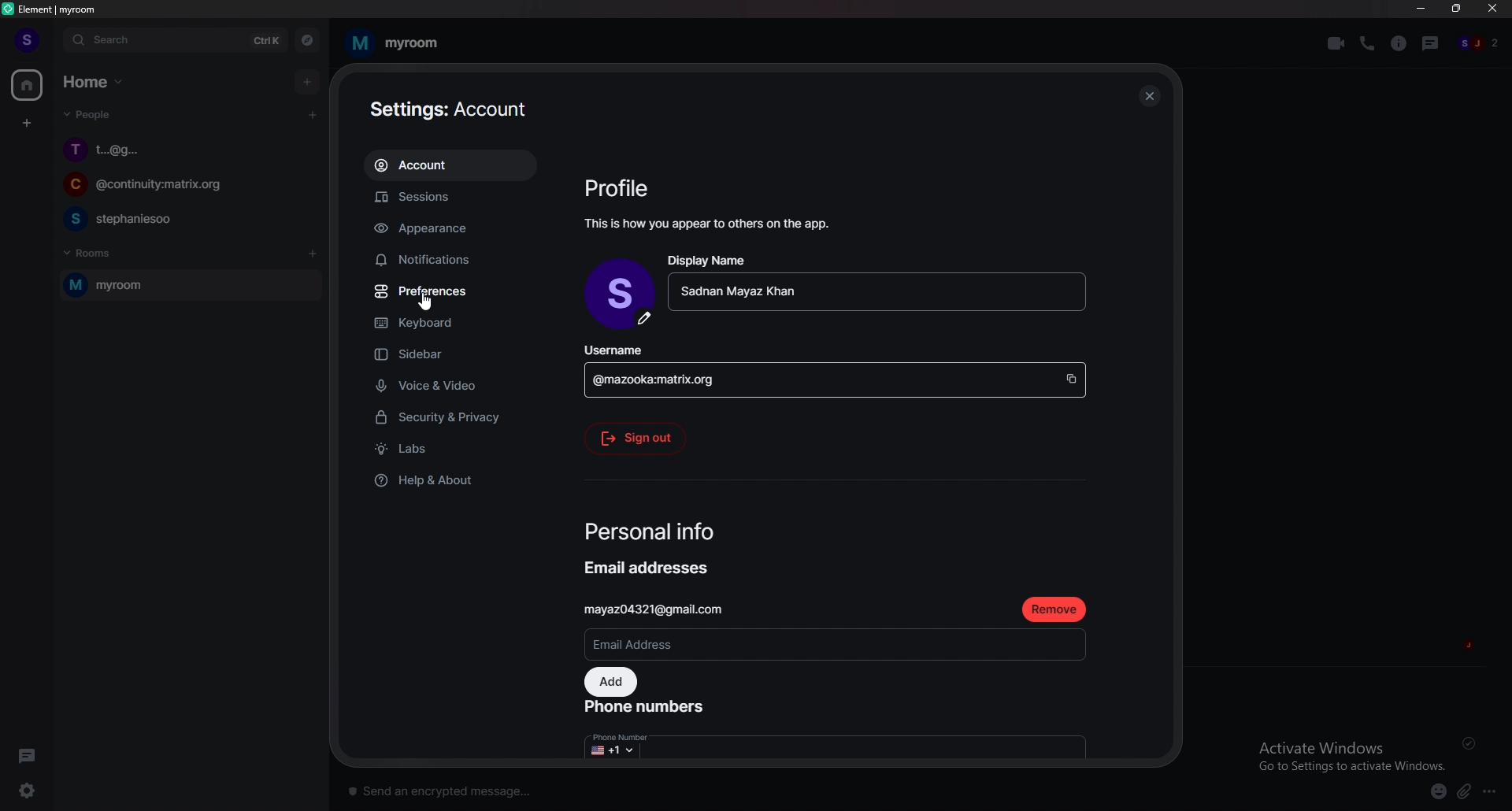 The height and width of the screenshot is (811, 1512). Describe the element at coordinates (612, 683) in the screenshot. I see `add` at that location.